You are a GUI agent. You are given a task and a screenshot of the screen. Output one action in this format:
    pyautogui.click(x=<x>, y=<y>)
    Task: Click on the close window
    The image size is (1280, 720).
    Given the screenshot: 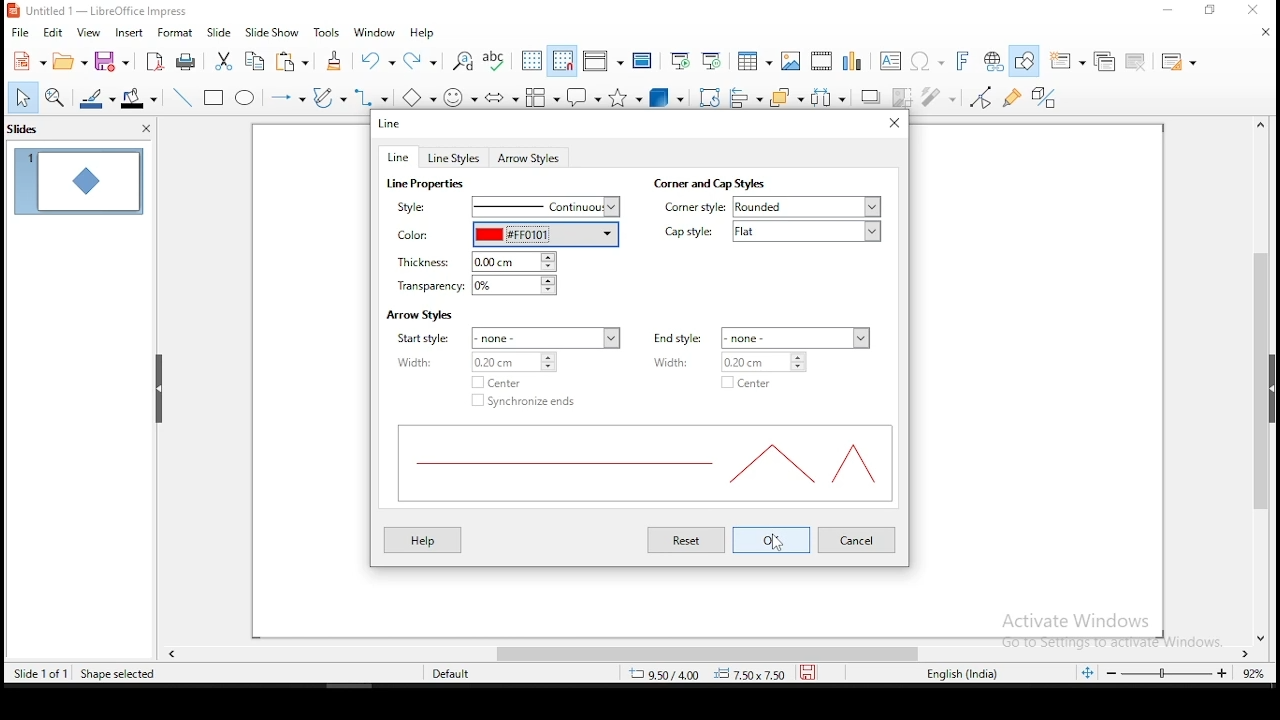 What is the action you would take?
    pyautogui.click(x=1255, y=10)
    